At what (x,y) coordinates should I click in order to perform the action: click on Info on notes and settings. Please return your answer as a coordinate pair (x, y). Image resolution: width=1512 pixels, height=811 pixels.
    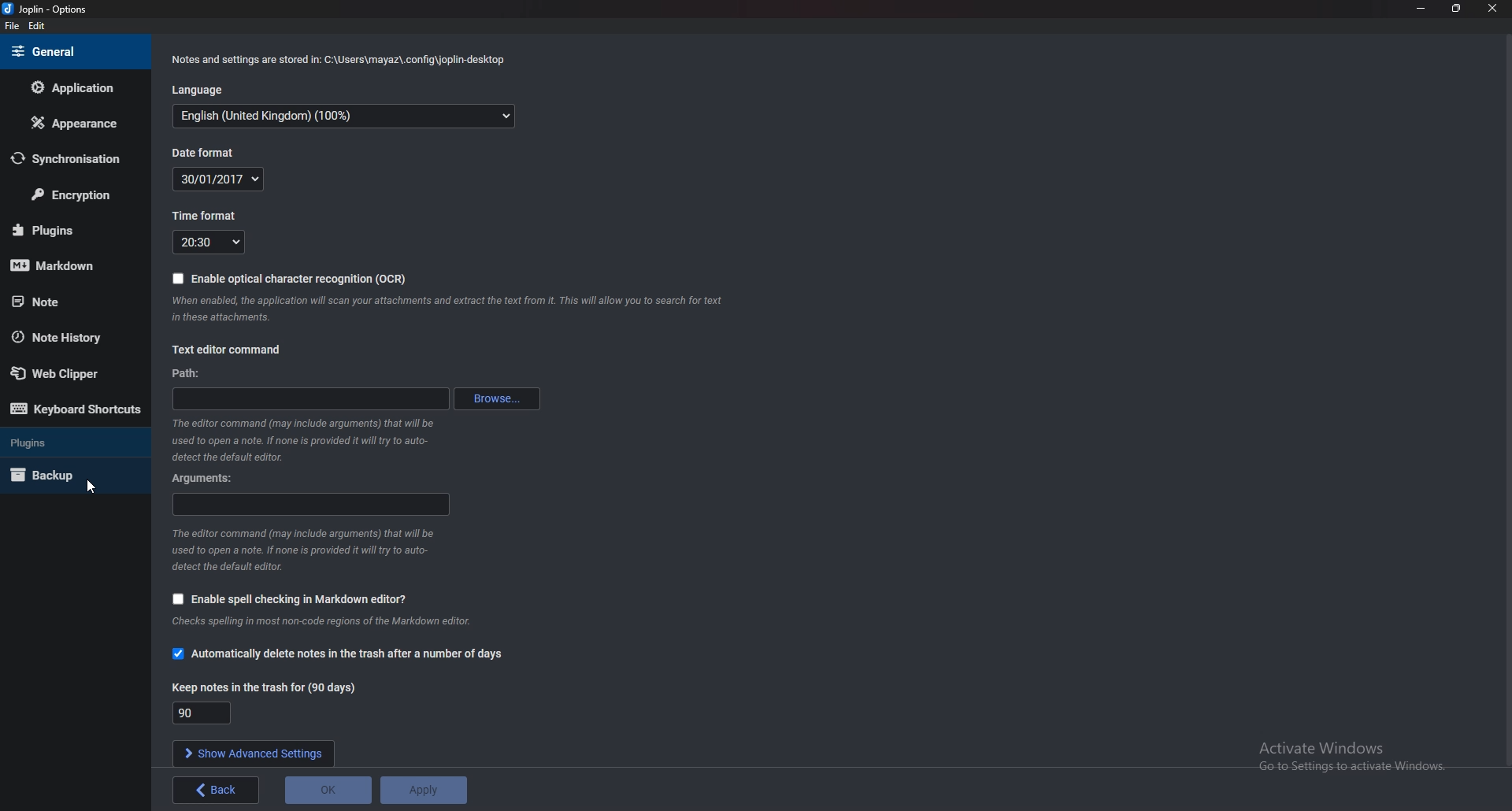
    Looking at the image, I should click on (340, 61).